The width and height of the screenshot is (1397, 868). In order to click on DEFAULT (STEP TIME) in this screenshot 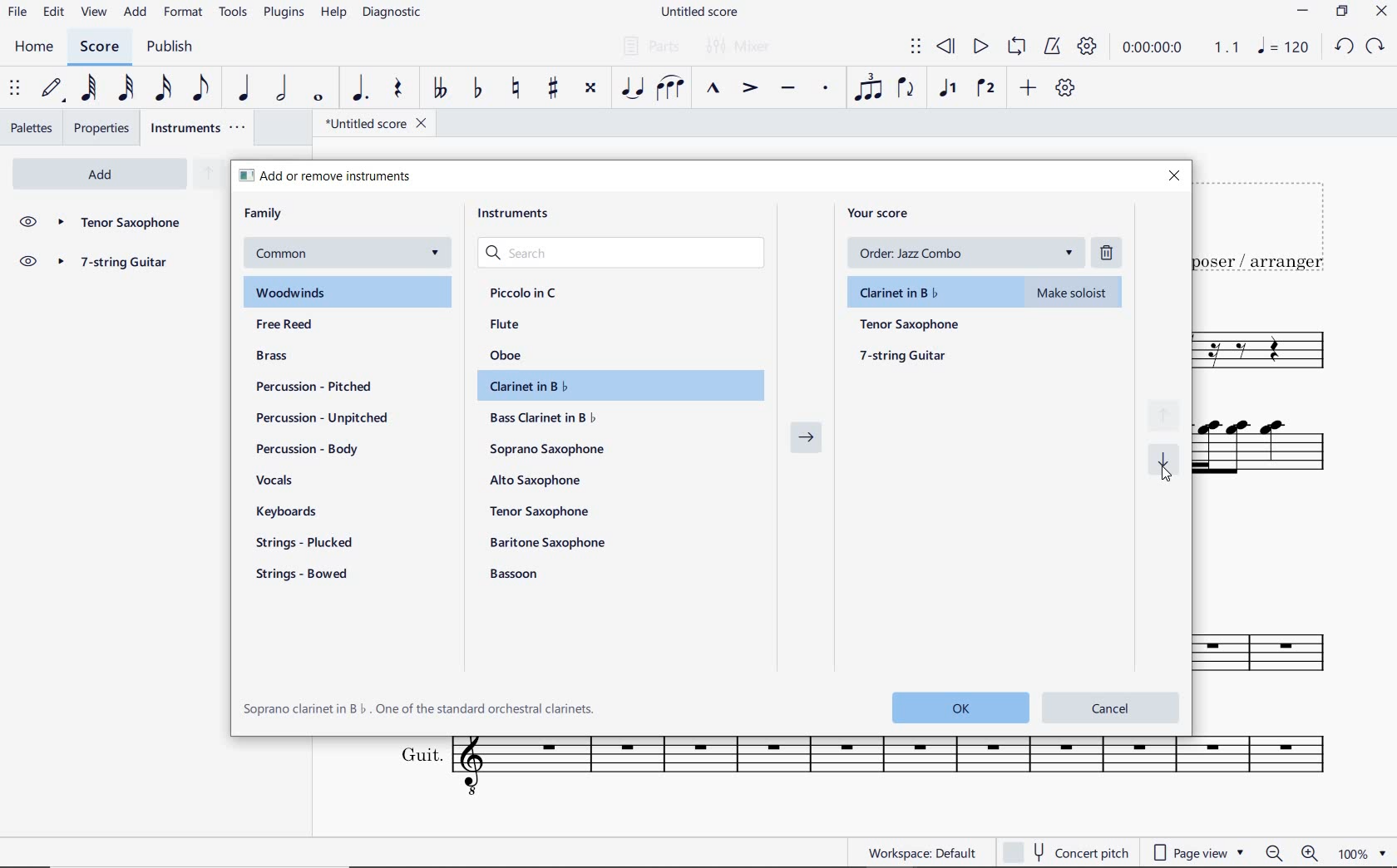, I will do `click(52, 90)`.